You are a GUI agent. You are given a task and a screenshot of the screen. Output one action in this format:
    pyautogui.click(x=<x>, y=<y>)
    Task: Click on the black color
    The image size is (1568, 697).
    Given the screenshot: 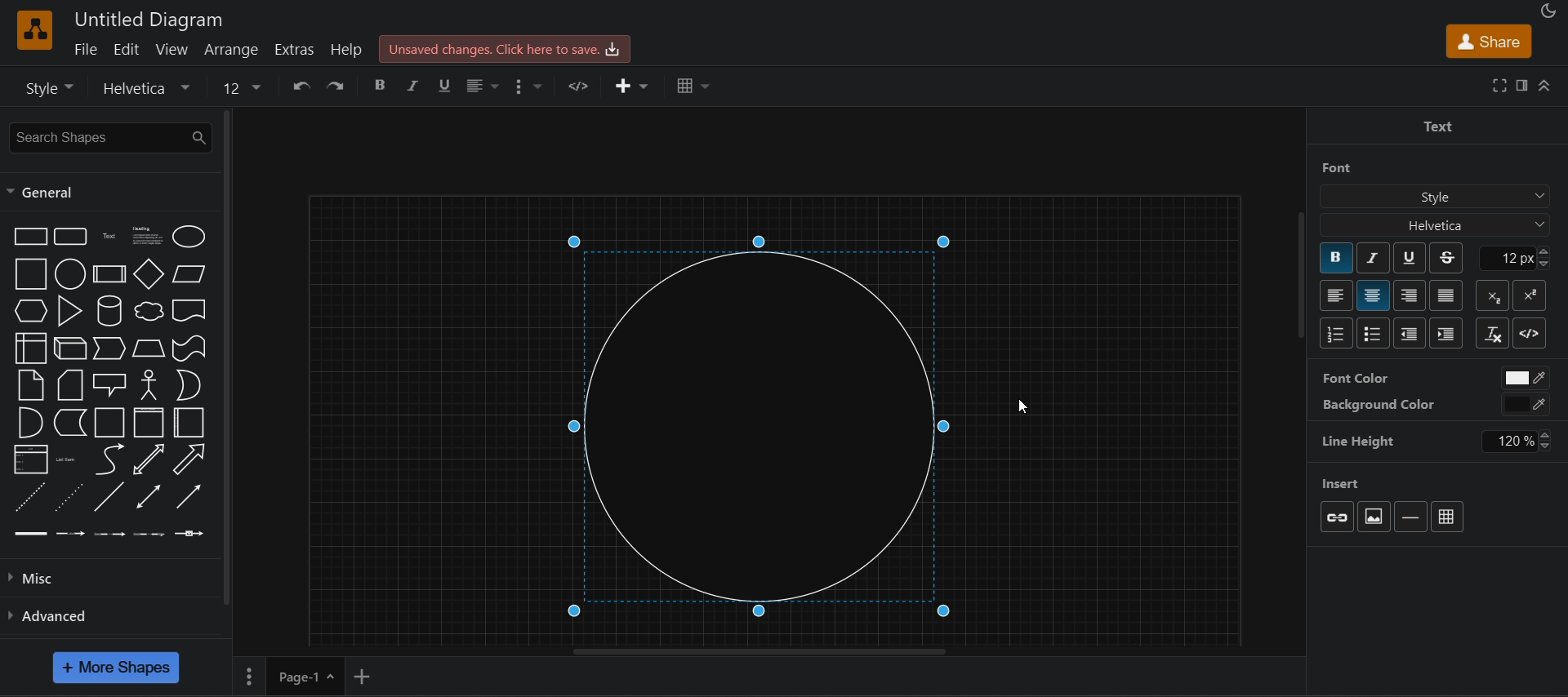 What is the action you would take?
    pyautogui.click(x=1528, y=402)
    